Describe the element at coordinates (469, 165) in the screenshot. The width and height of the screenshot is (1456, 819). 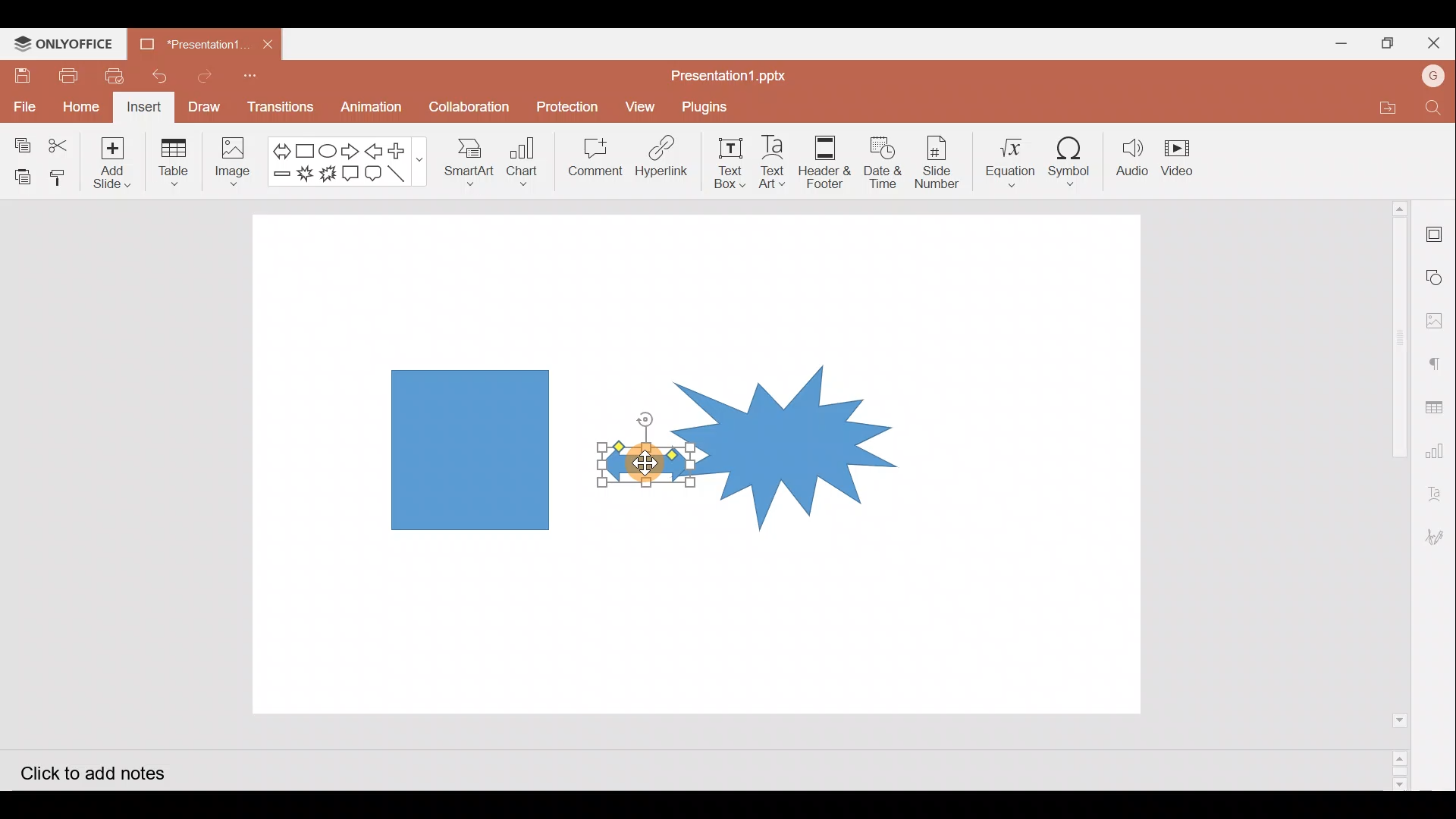
I see `SmartArt` at that location.